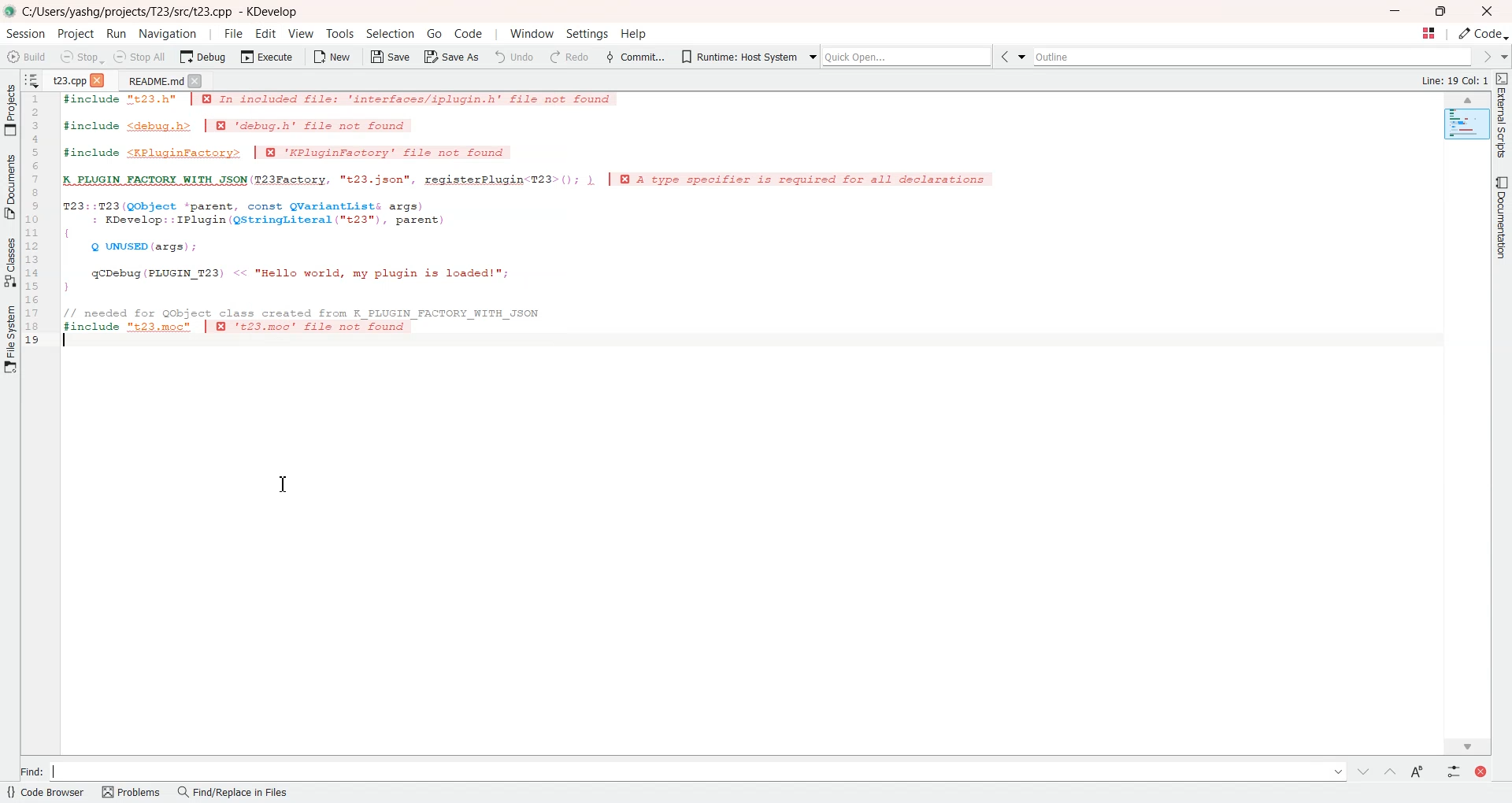 The image size is (1512, 803). I want to click on Stop All, so click(141, 57).